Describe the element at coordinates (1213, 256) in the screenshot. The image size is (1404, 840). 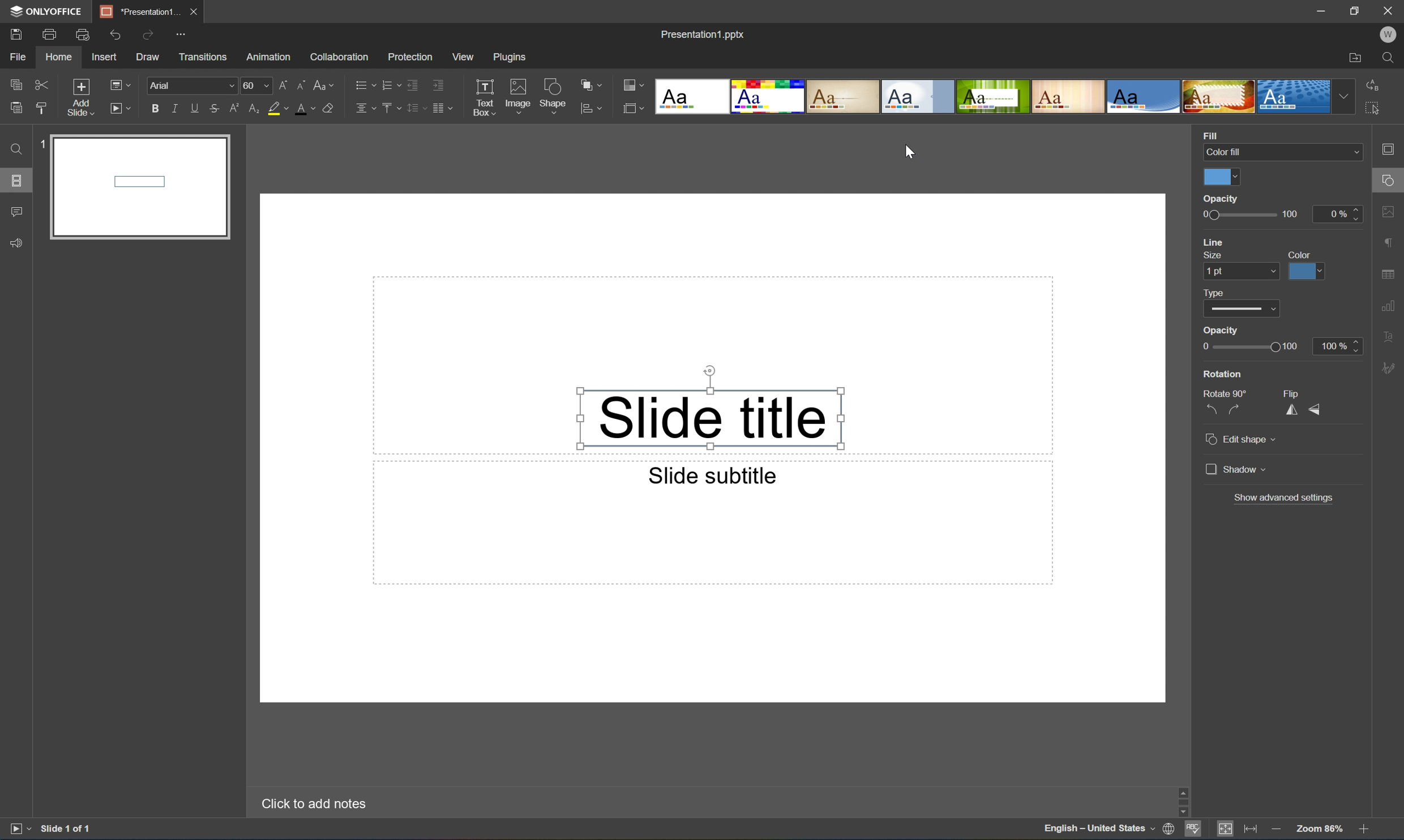
I see `Size` at that location.